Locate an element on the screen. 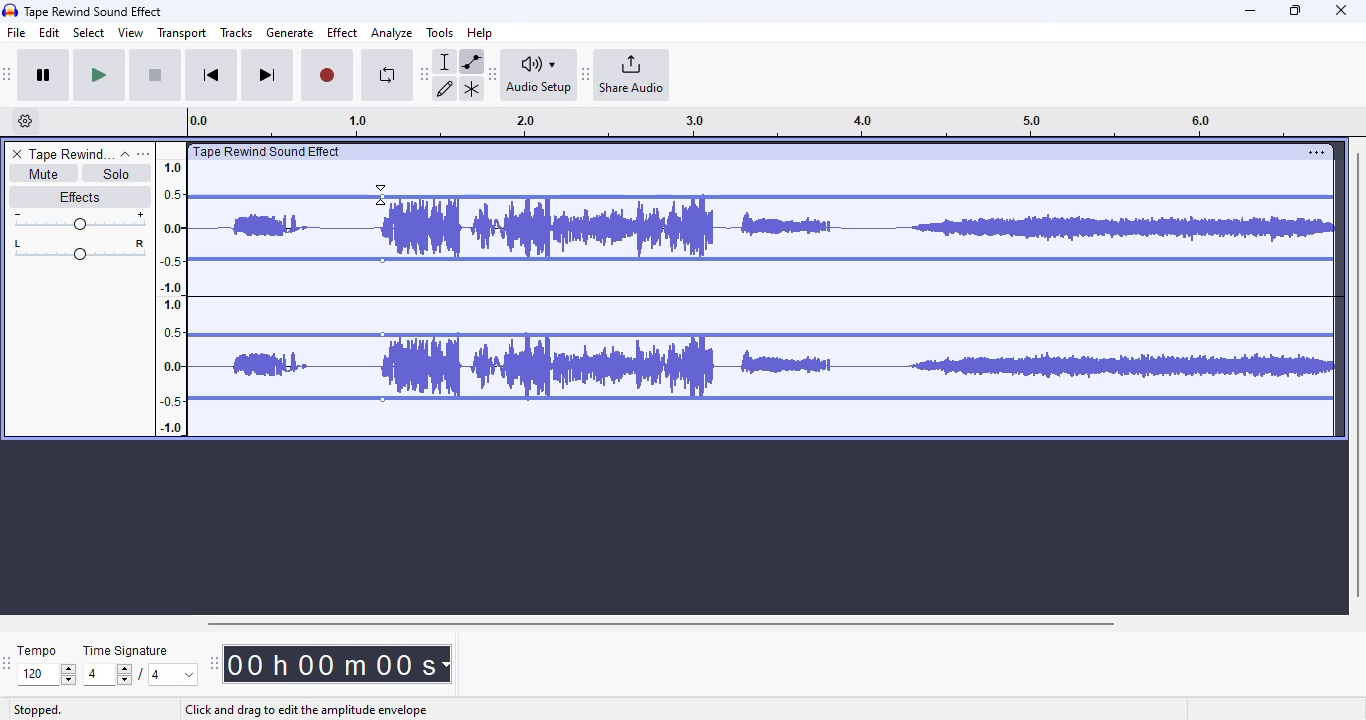  tools is located at coordinates (440, 32).